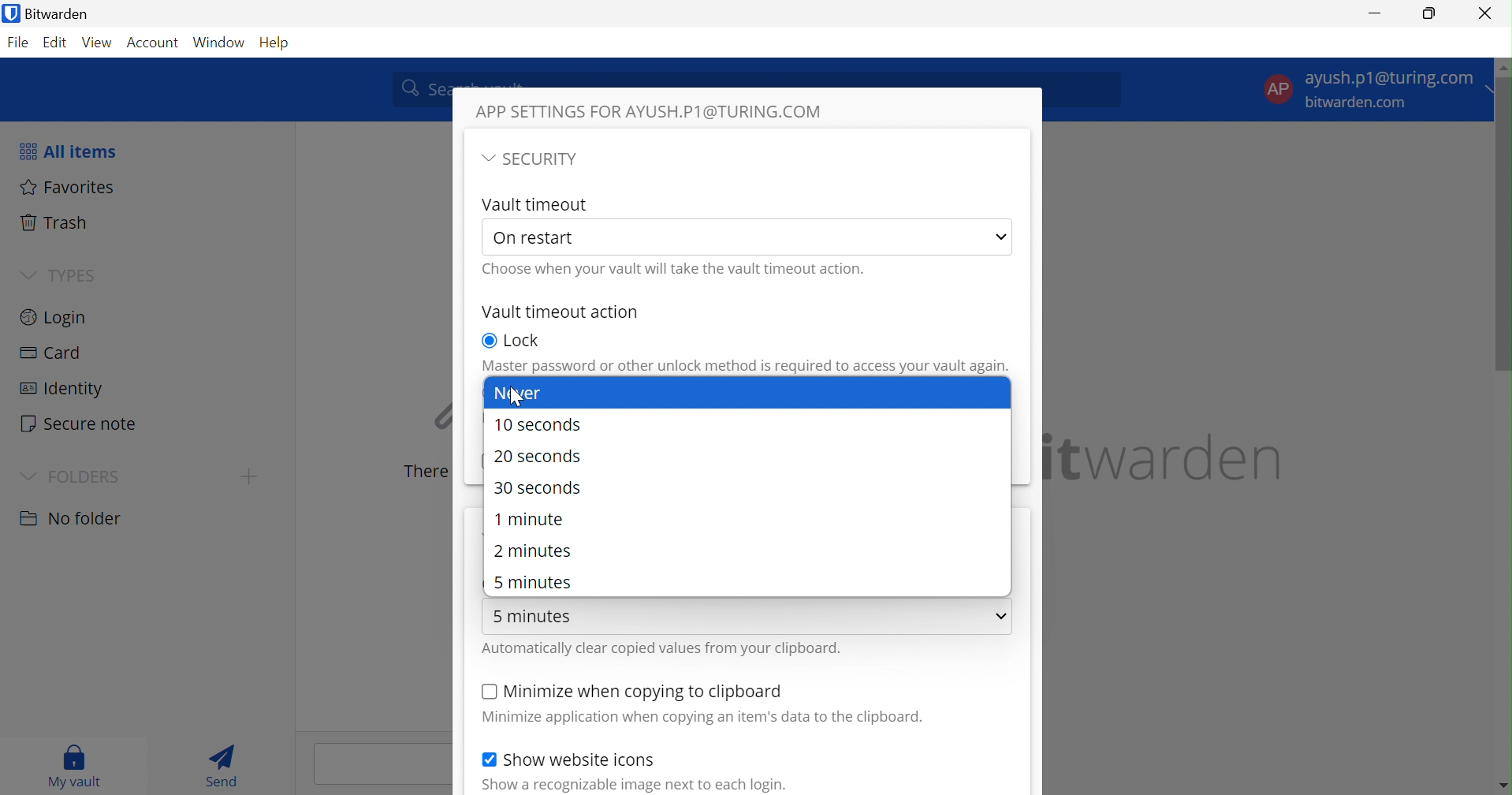 This screenshot has width=1512, height=795. What do you see at coordinates (275, 46) in the screenshot?
I see `Help` at bounding box center [275, 46].